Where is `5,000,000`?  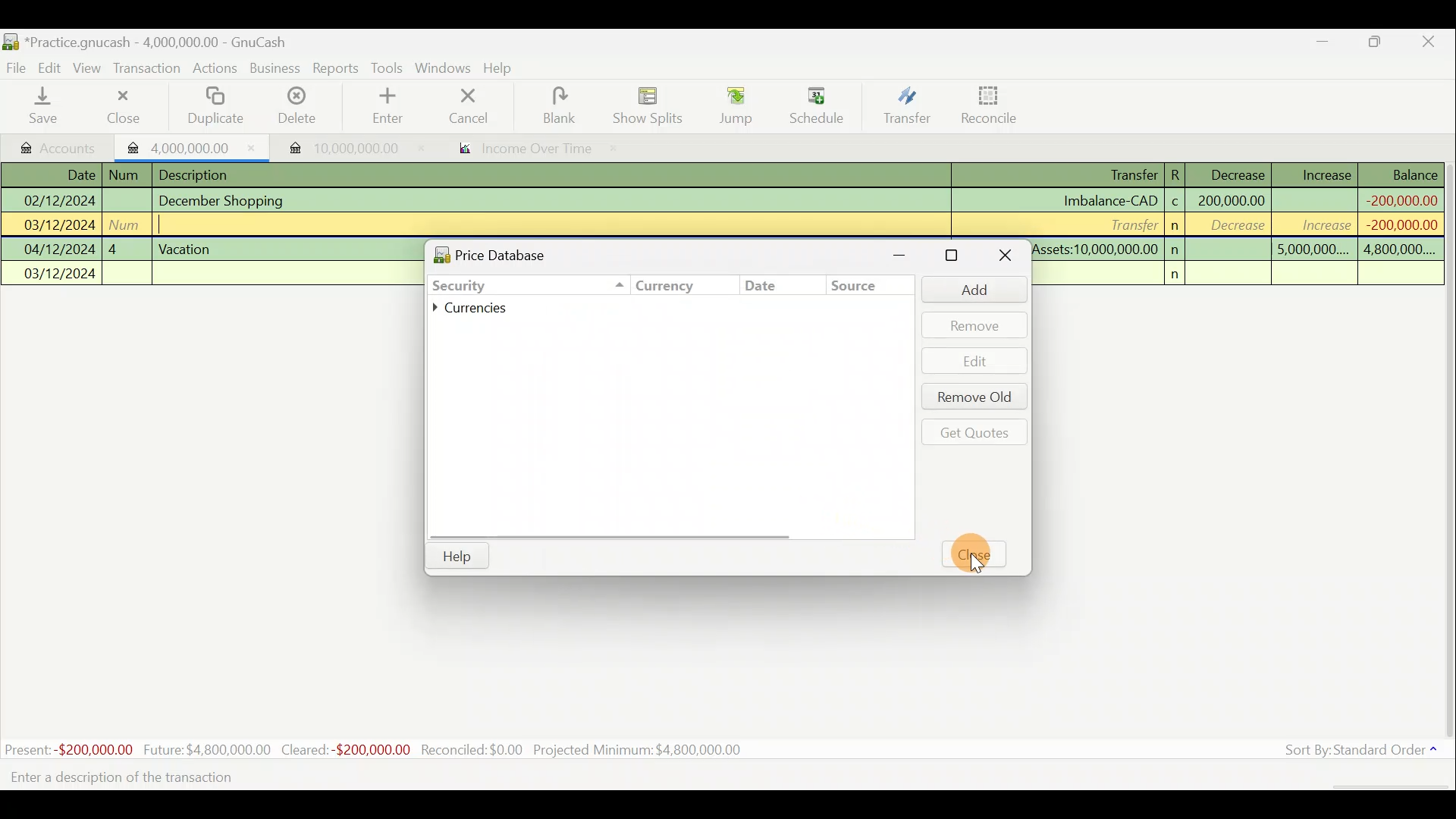
5,000,000 is located at coordinates (1313, 252).